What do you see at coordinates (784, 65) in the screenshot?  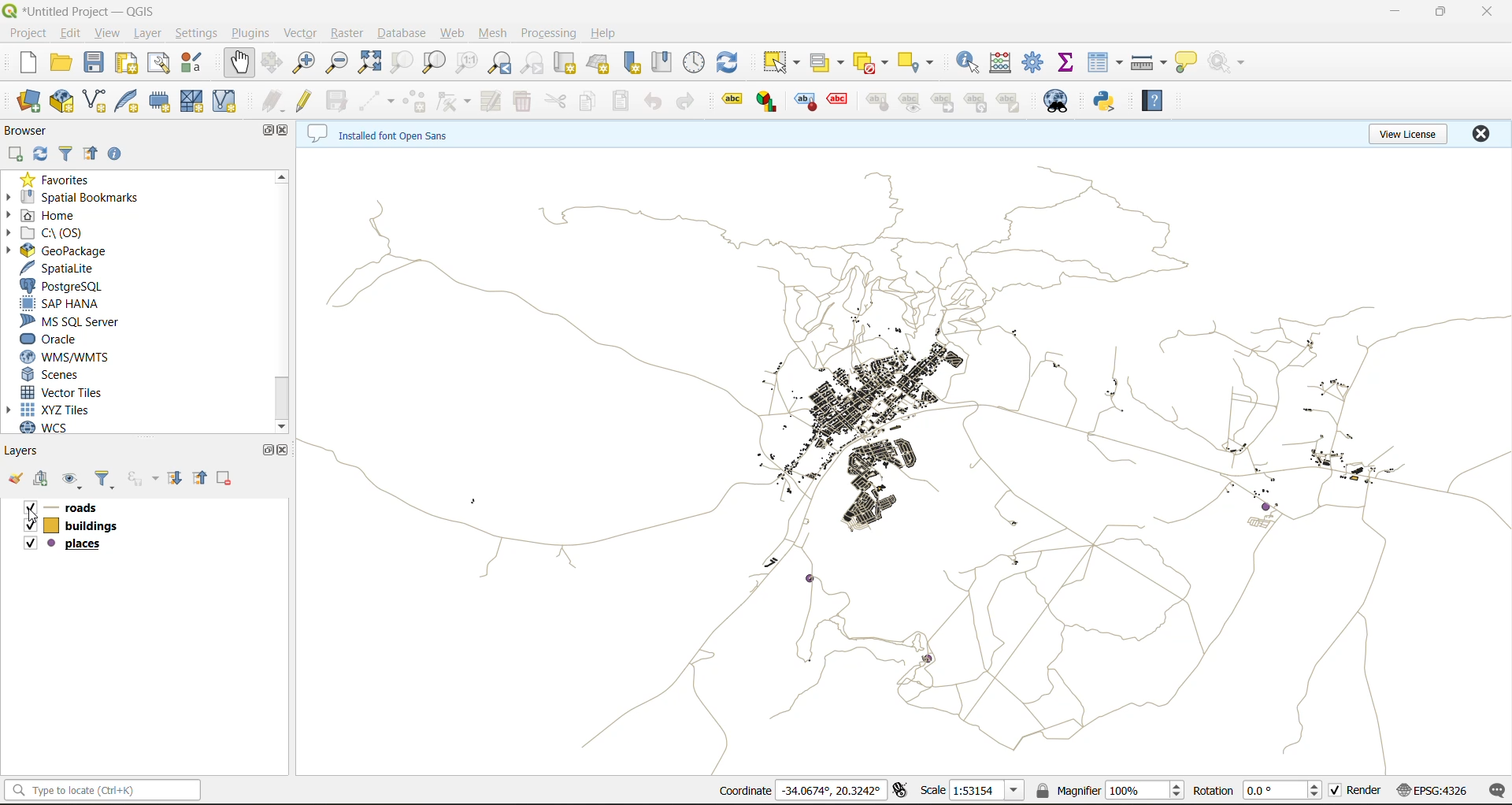 I see `select` at bounding box center [784, 65].